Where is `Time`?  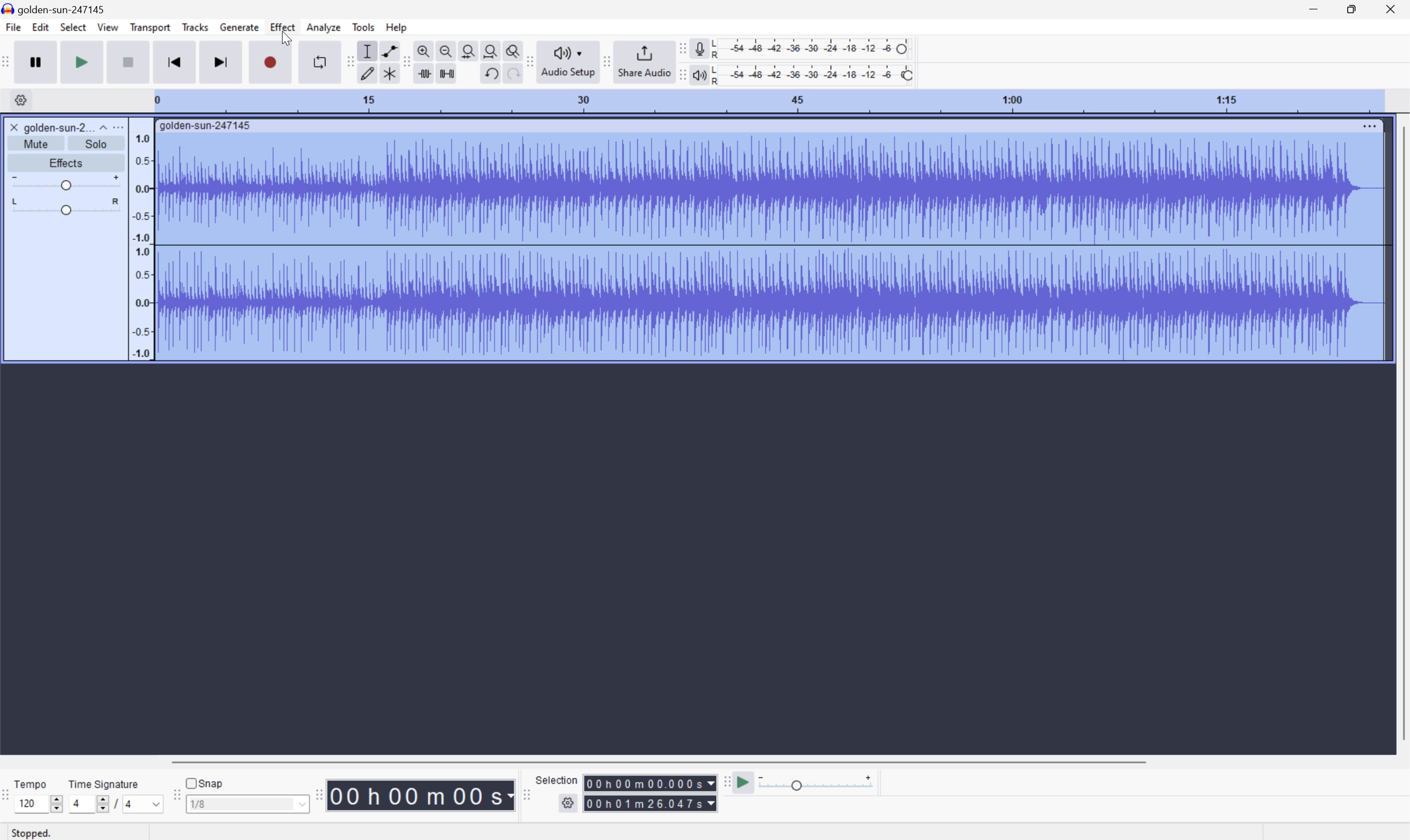
Time is located at coordinates (421, 794).